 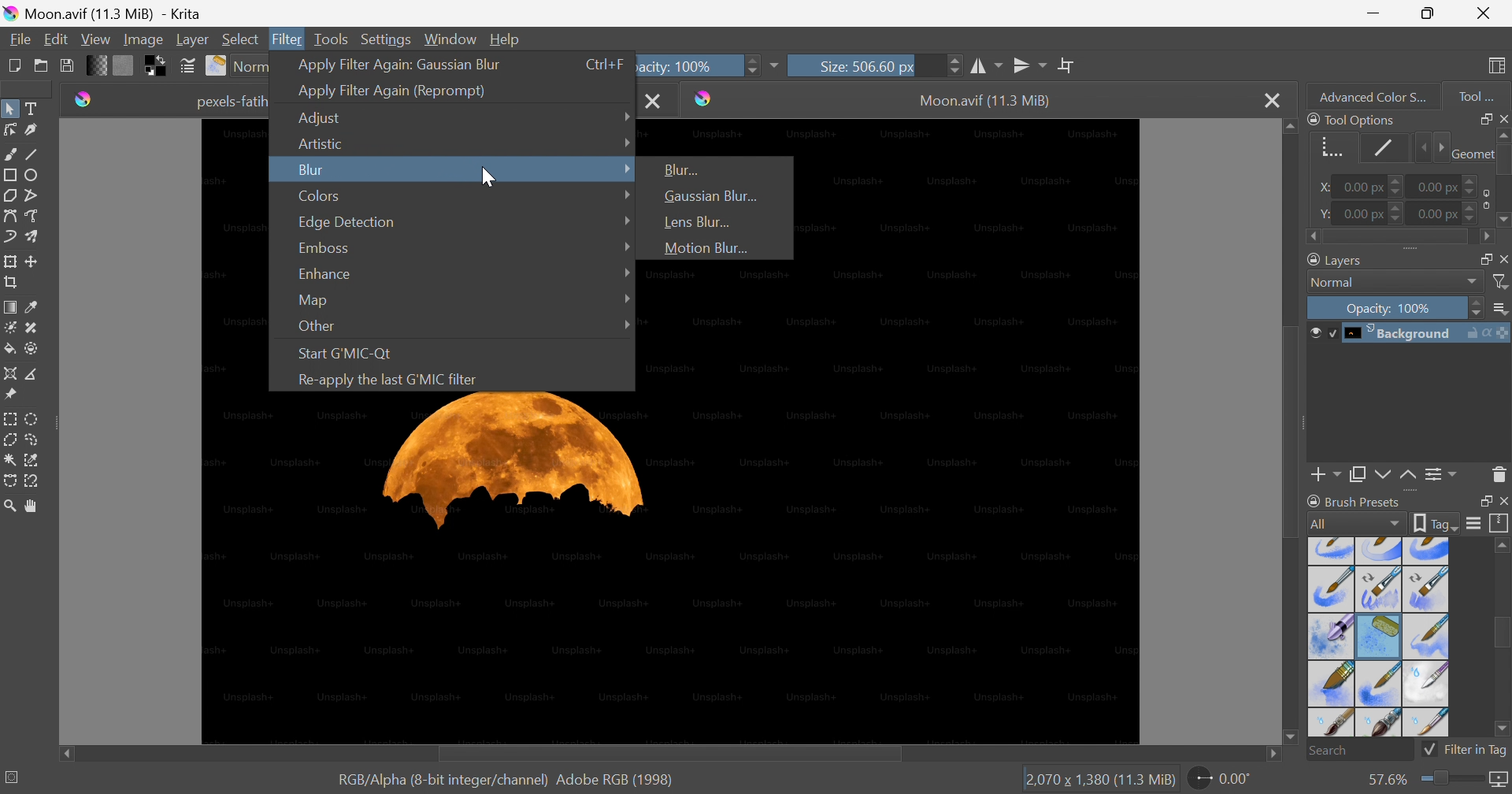 I want to click on Previous, so click(x=1419, y=148).